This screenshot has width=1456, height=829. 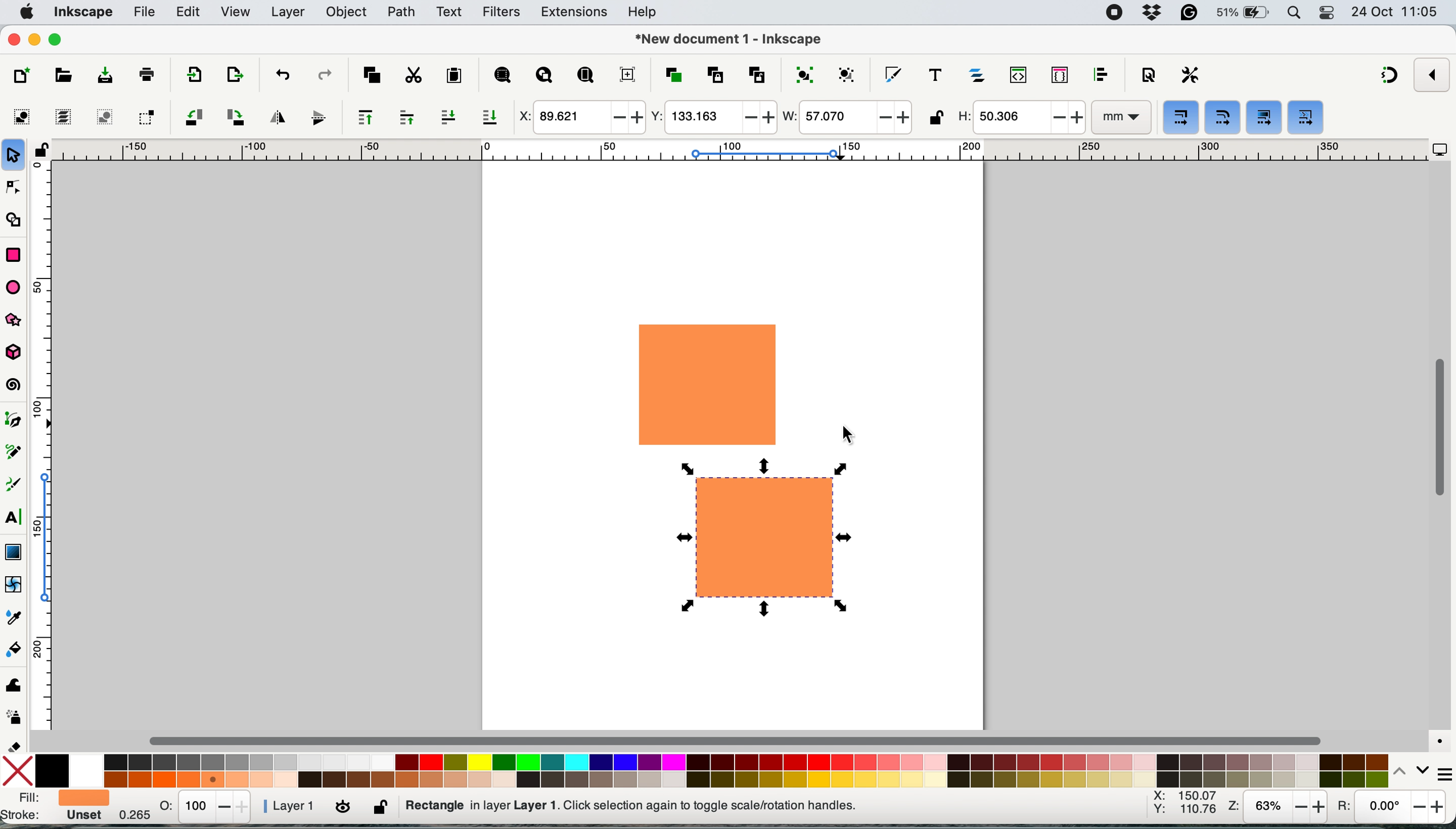 What do you see at coordinates (59, 39) in the screenshot?
I see `maximise` at bounding box center [59, 39].